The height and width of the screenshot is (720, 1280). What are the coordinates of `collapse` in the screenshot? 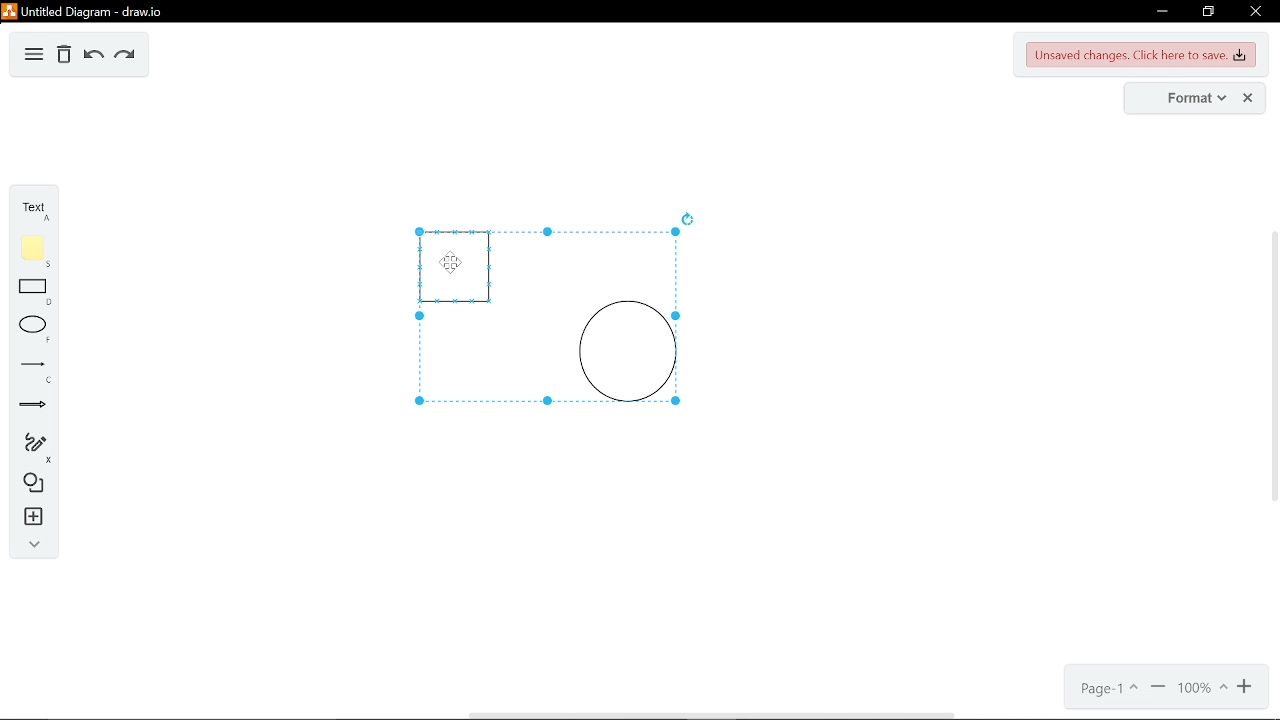 It's located at (29, 544).